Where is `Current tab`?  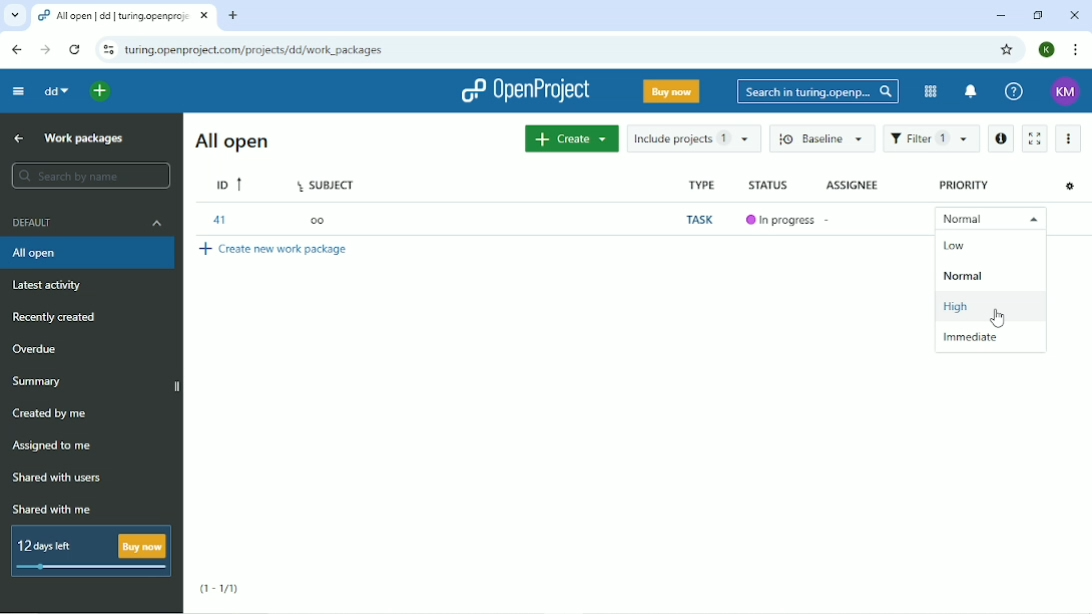 Current tab is located at coordinates (123, 16).